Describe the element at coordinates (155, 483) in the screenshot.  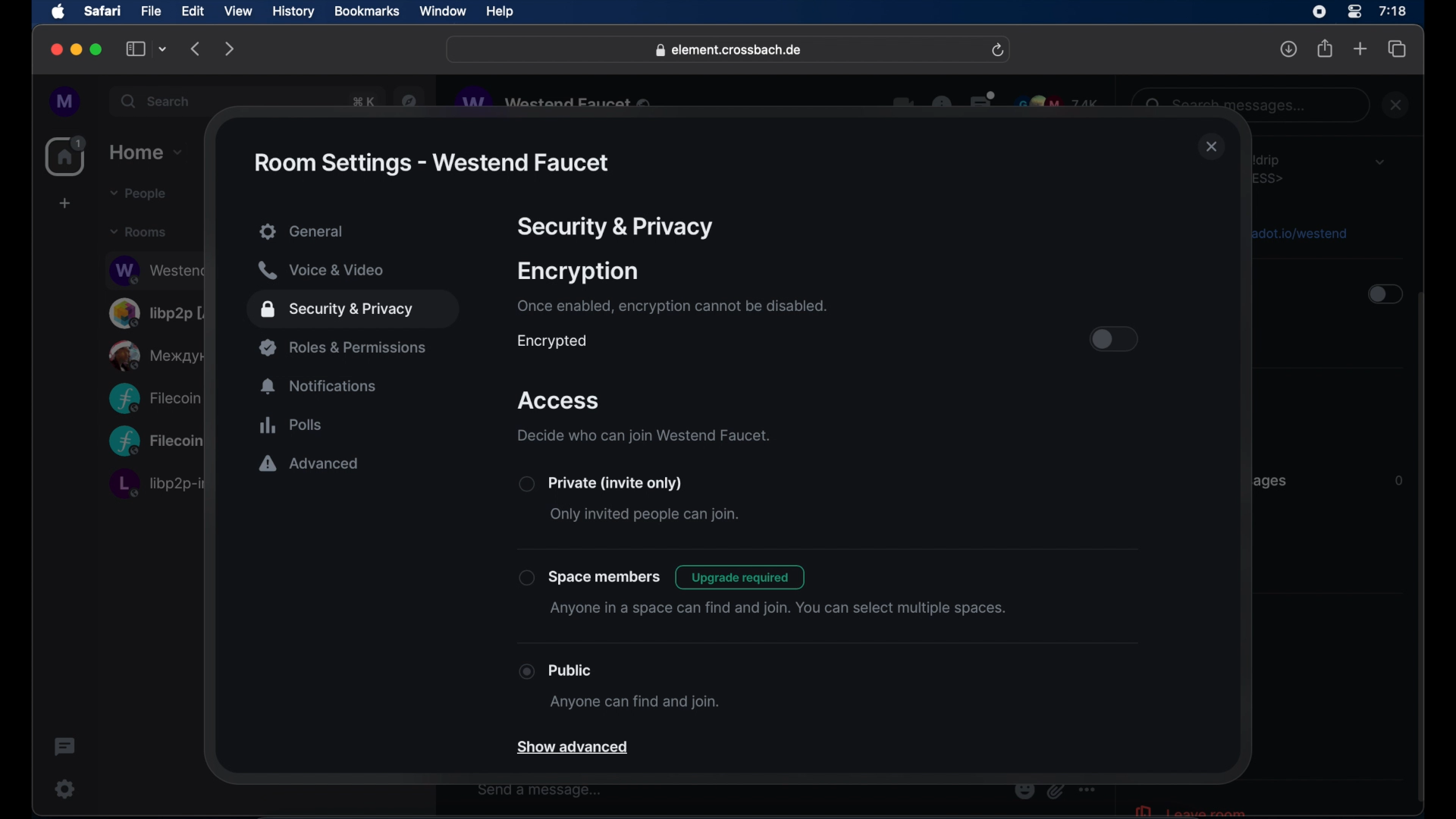
I see `obscure` at that location.